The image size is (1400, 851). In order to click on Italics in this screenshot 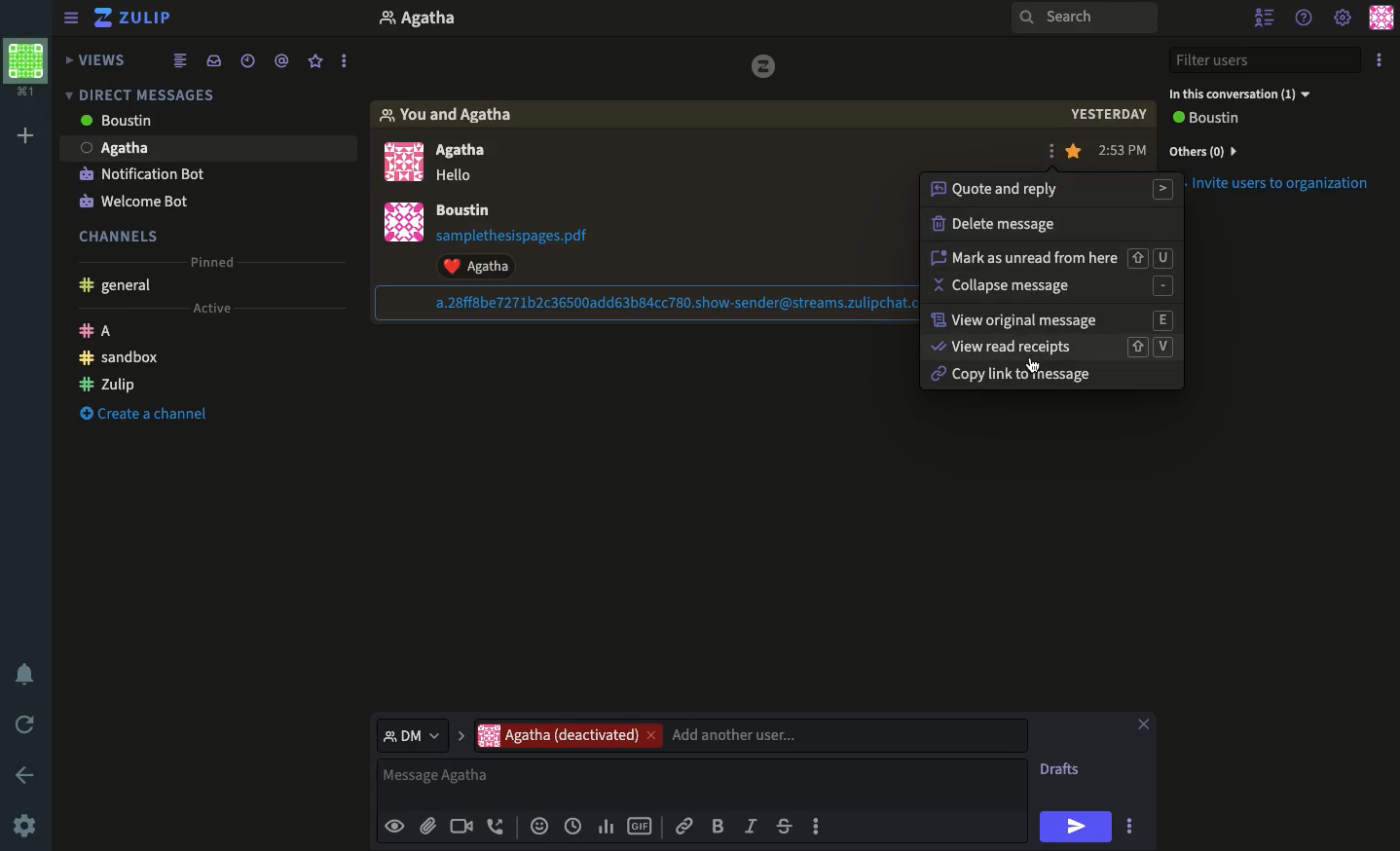, I will do `click(751, 825)`.